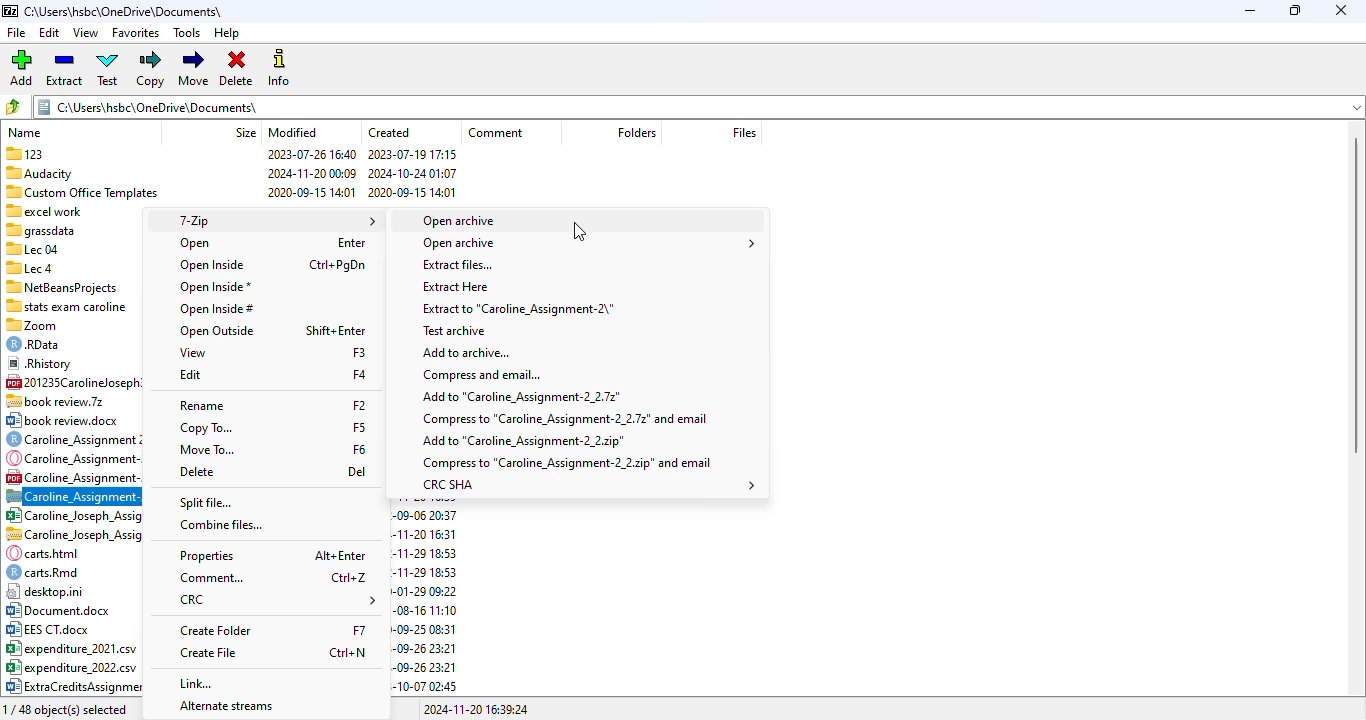 The width and height of the screenshot is (1366, 720). Describe the element at coordinates (213, 265) in the screenshot. I see `open inside` at that location.